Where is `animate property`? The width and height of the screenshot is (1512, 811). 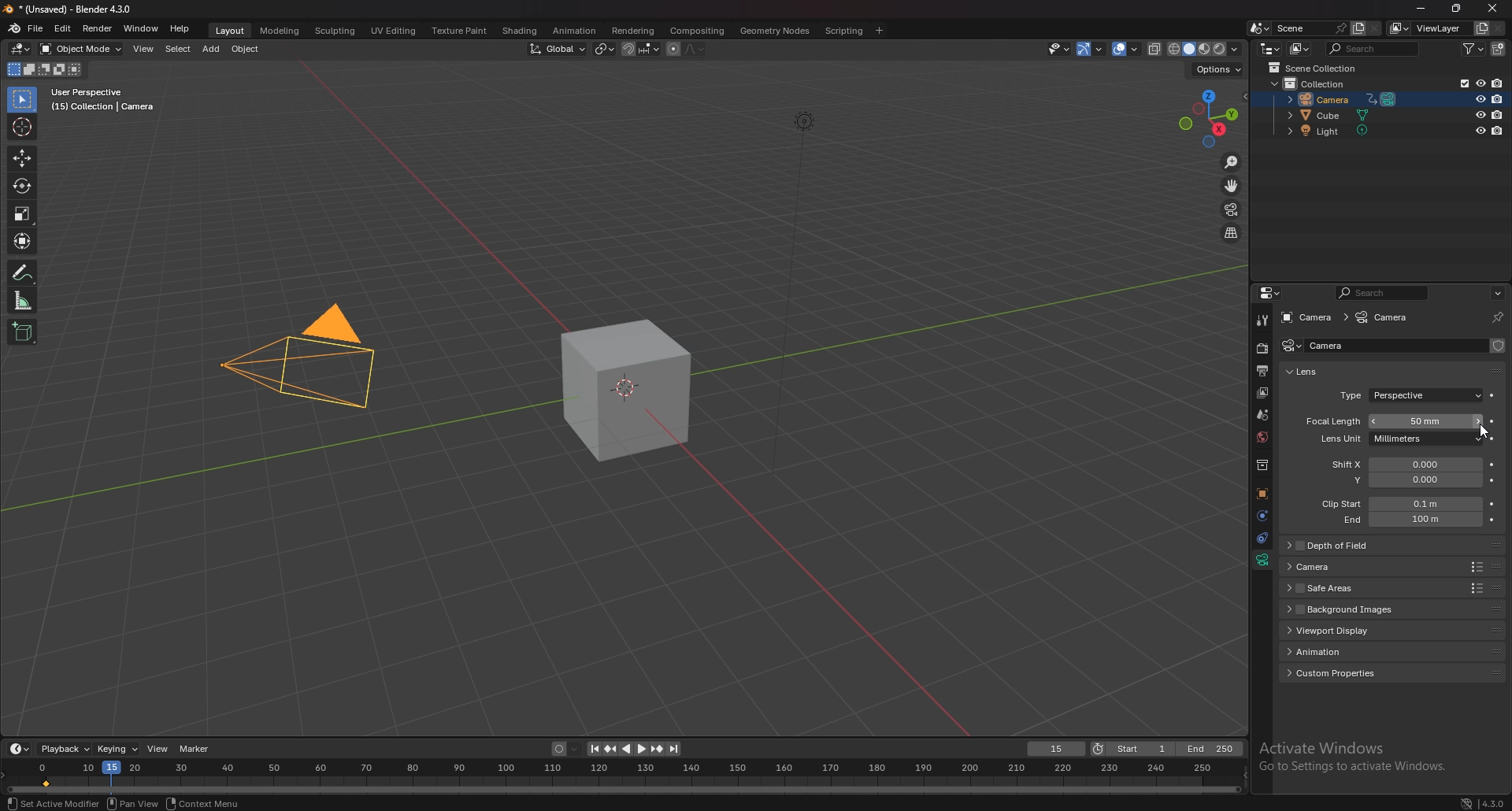 animate property is located at coordinates (1495, 466).